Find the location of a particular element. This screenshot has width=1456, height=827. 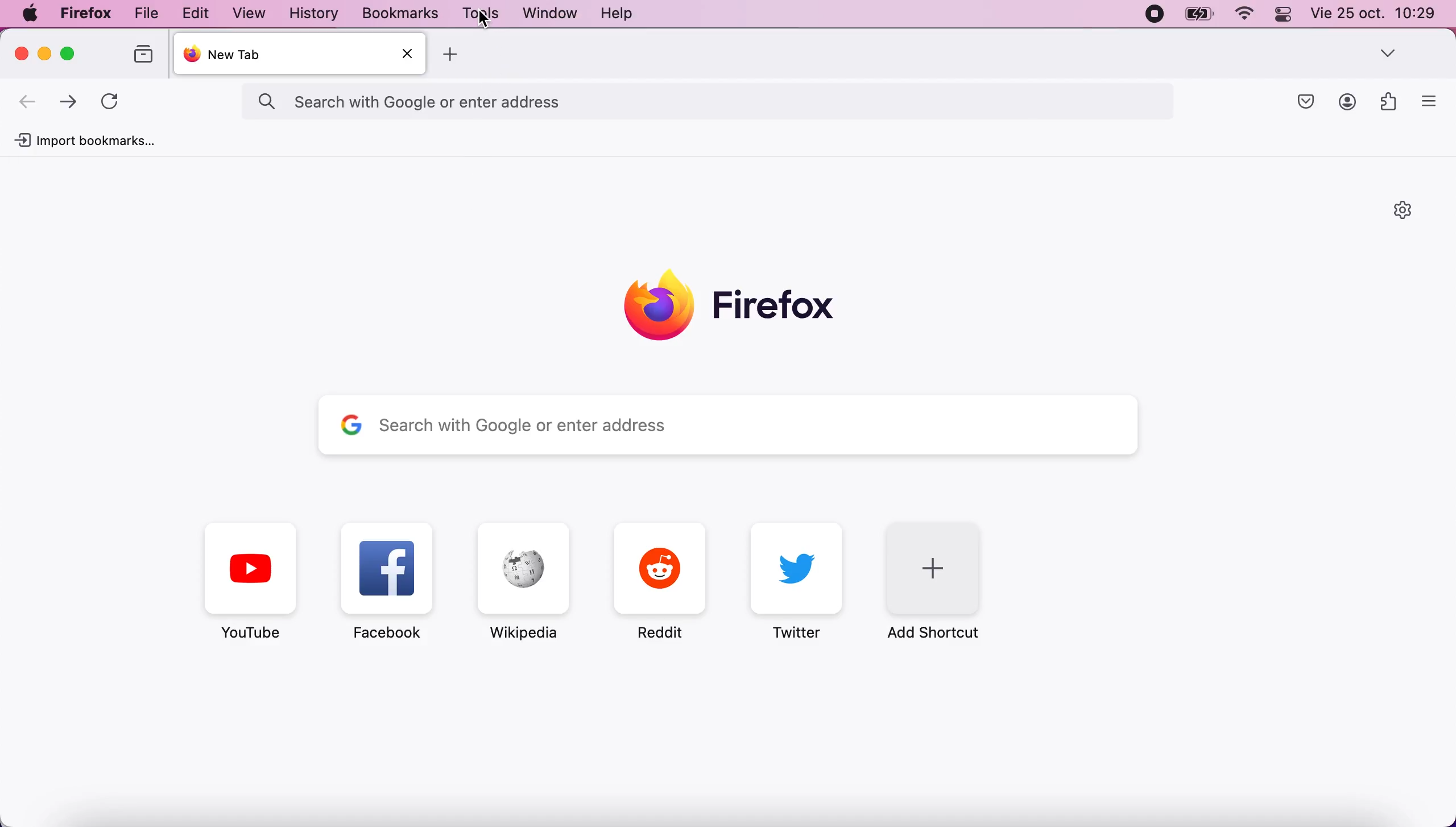

Import Bookmarks is located at coordinates (84, 140).